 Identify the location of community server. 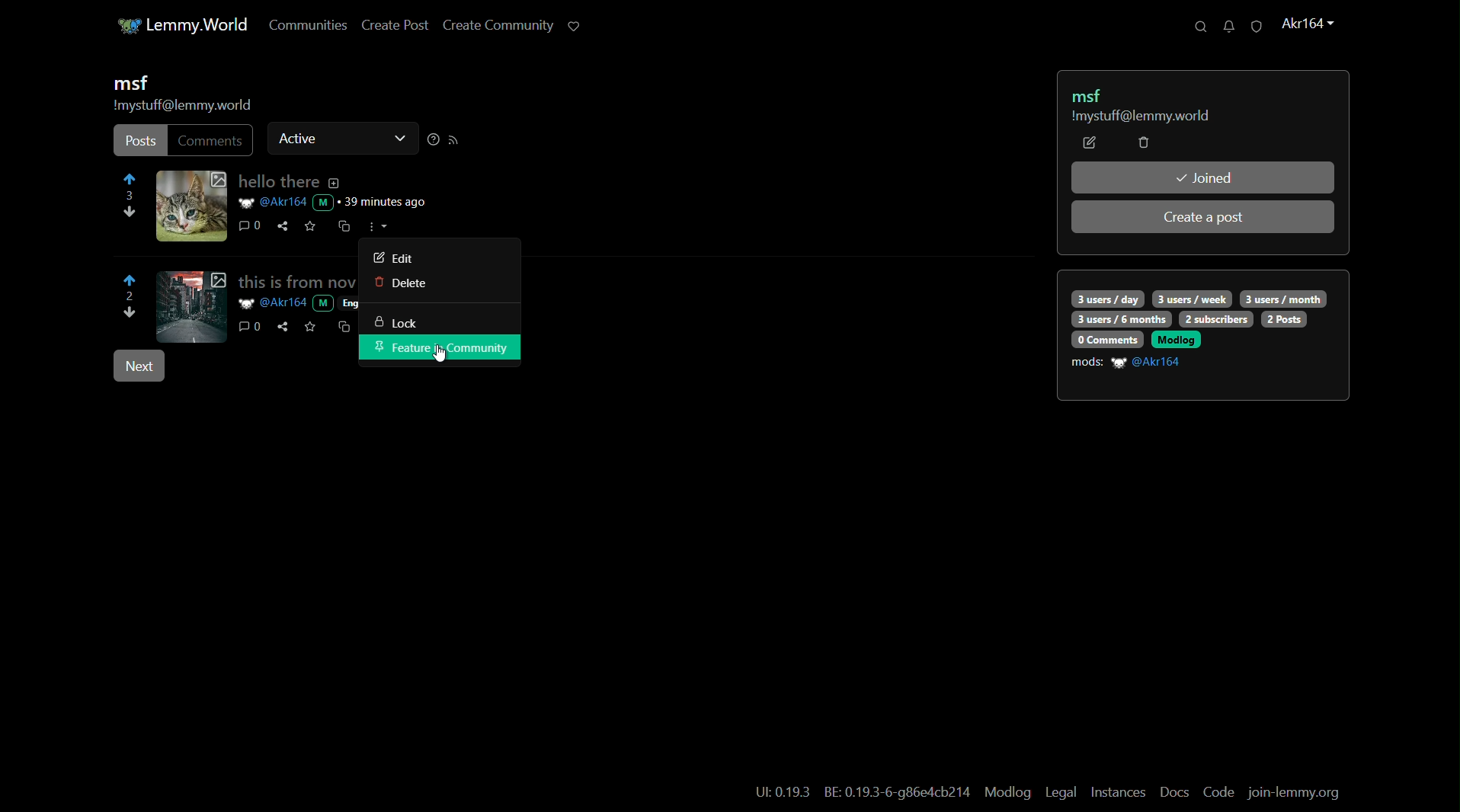
(182, 107).